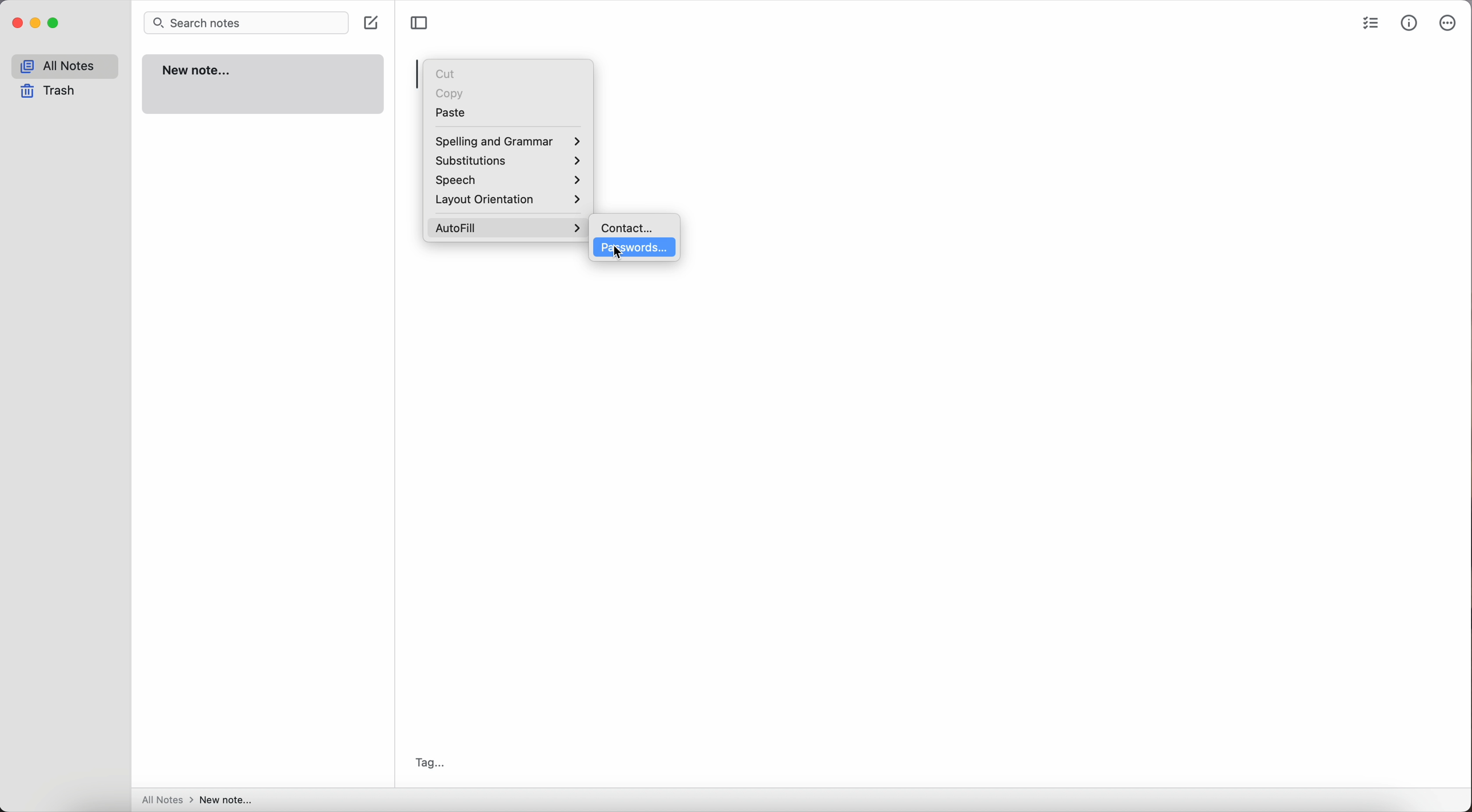 The width and height of the screenshot is (1472, 812). Describe the element at coordinates (245, 23) in the screenshot. I see `search bar` at that location.